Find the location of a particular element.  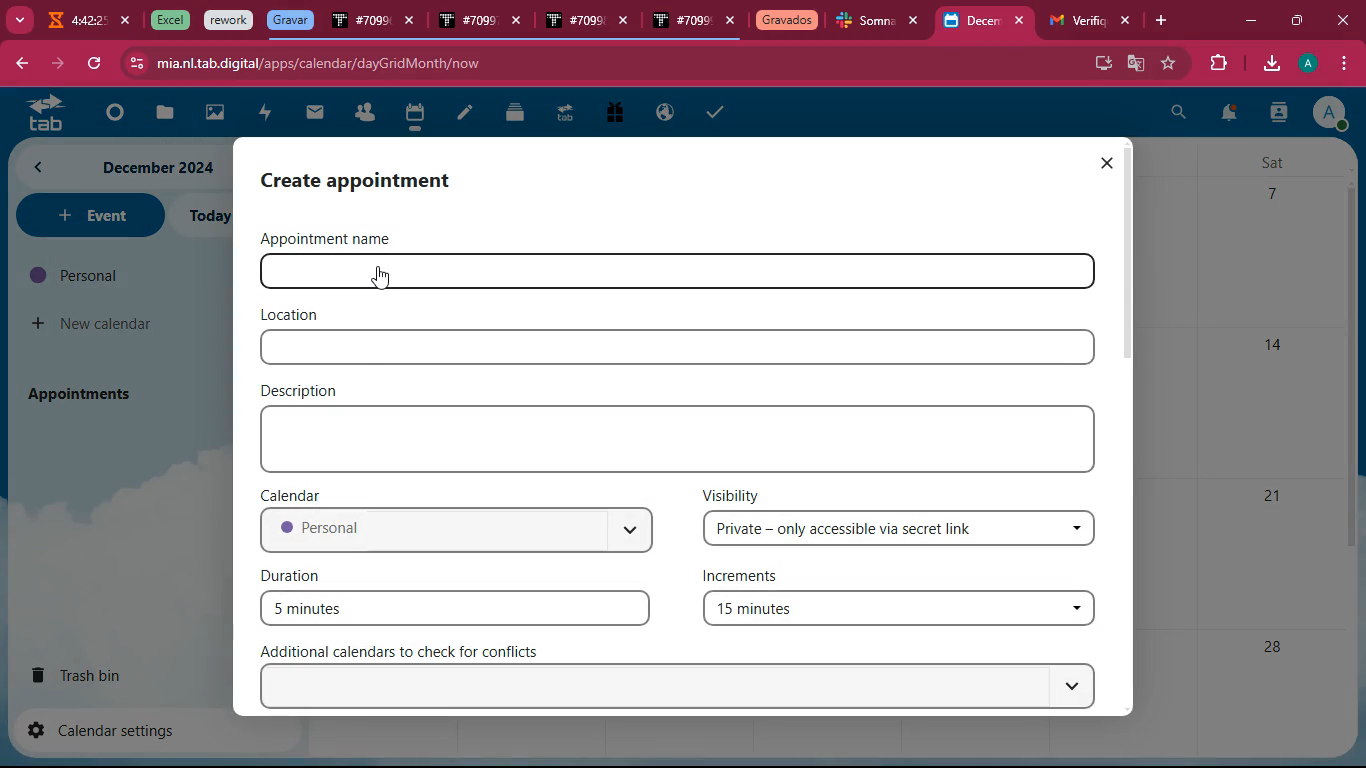

tab is located at coordinates (74, 23).